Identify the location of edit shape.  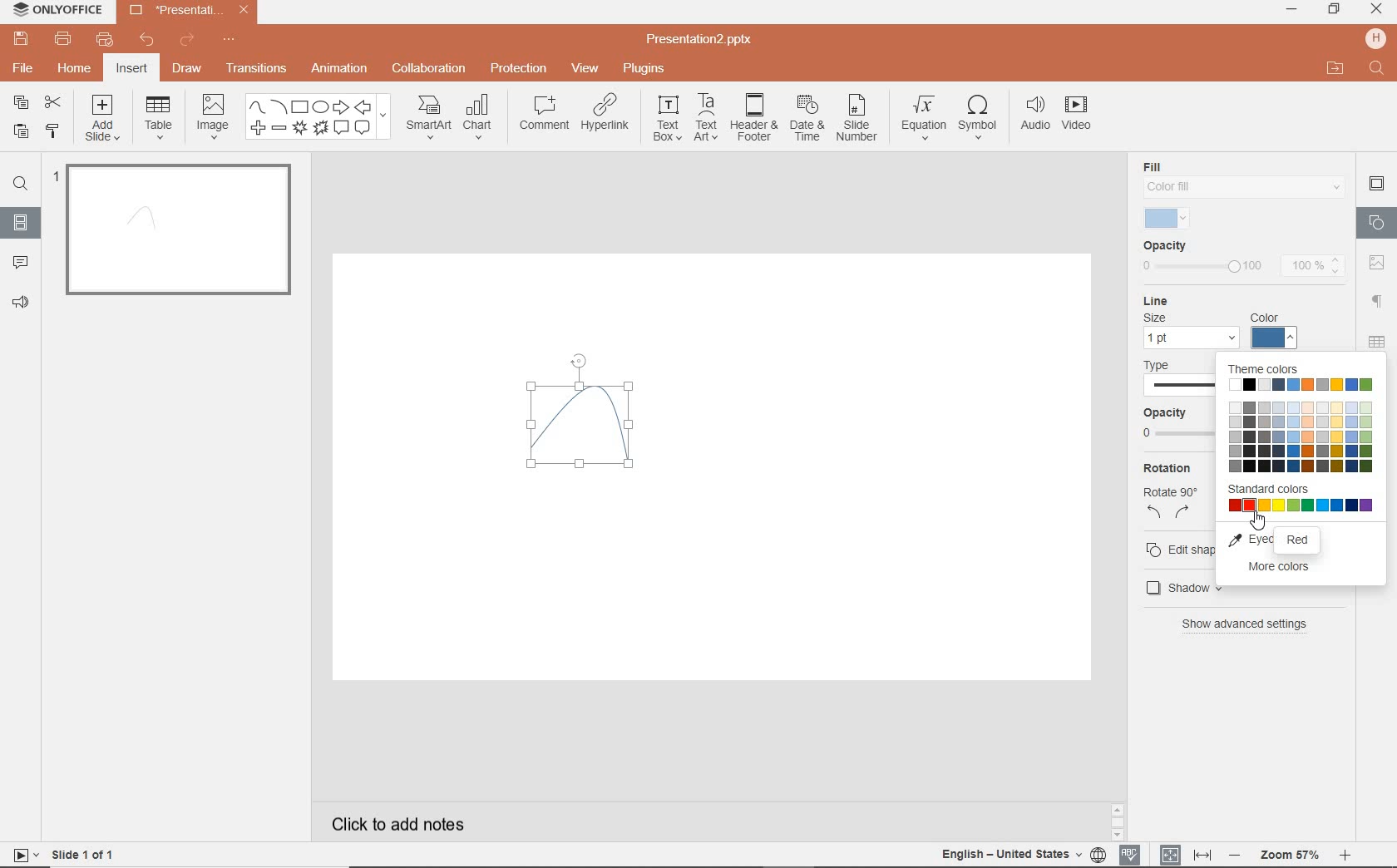
(1177, 550).